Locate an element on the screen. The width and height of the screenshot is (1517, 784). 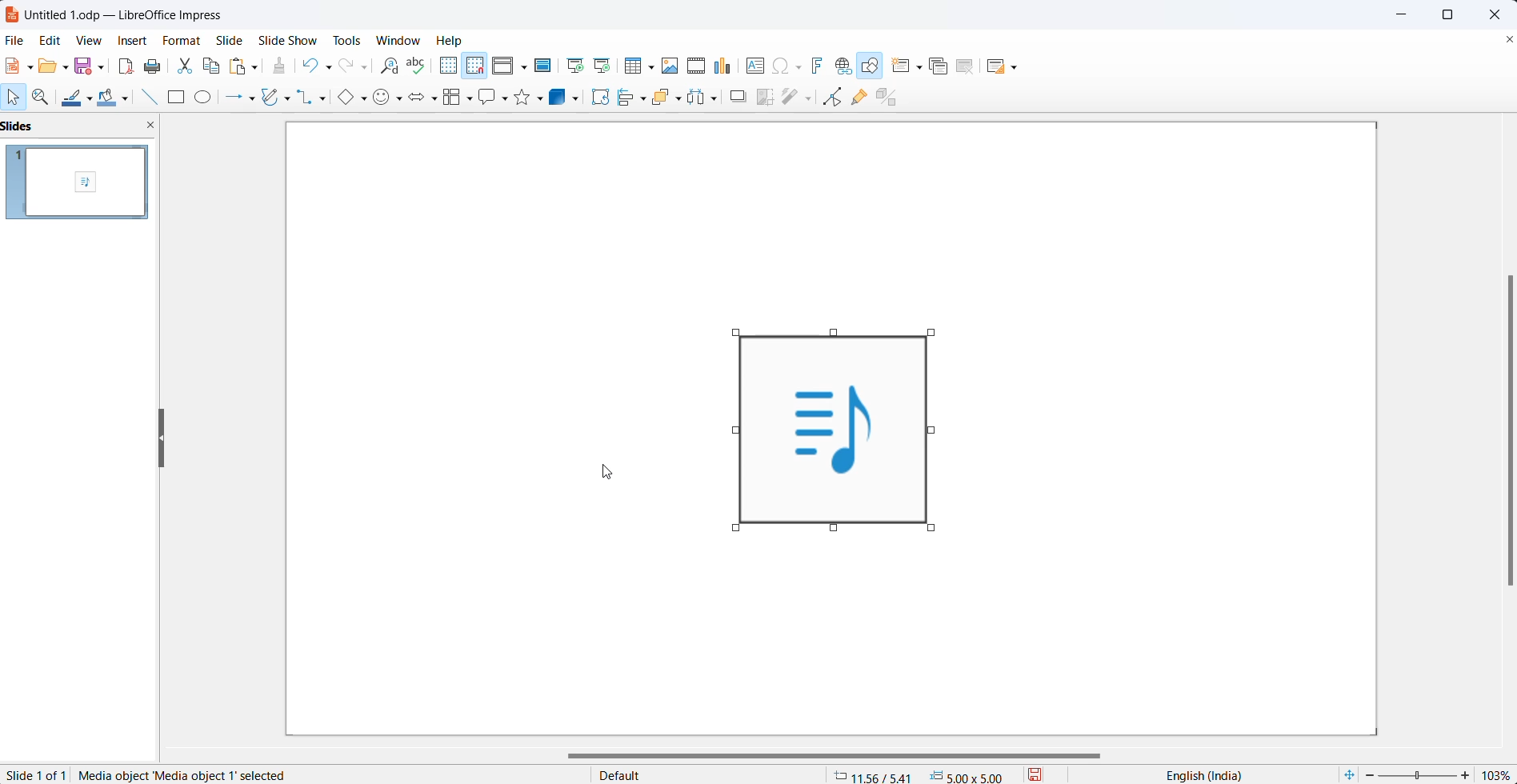
flowchart is located at coordinates (453, 100).